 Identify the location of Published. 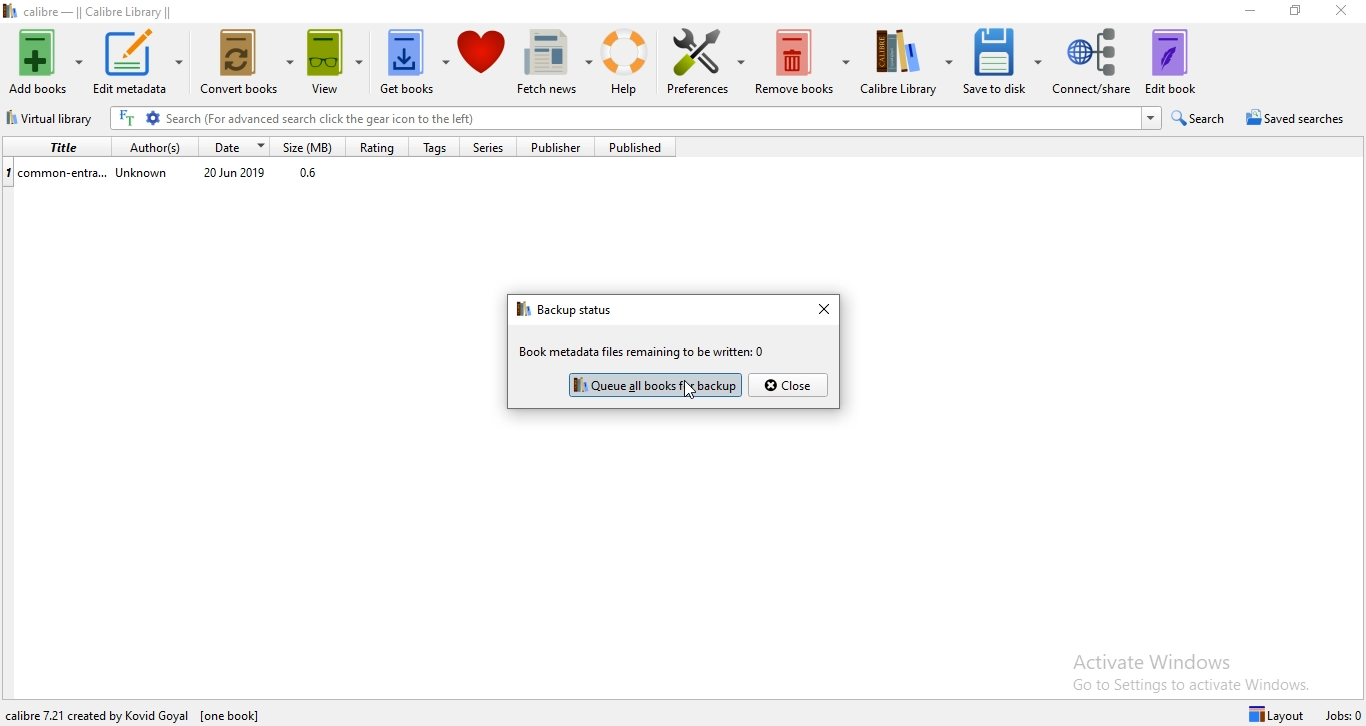
(641, 147).